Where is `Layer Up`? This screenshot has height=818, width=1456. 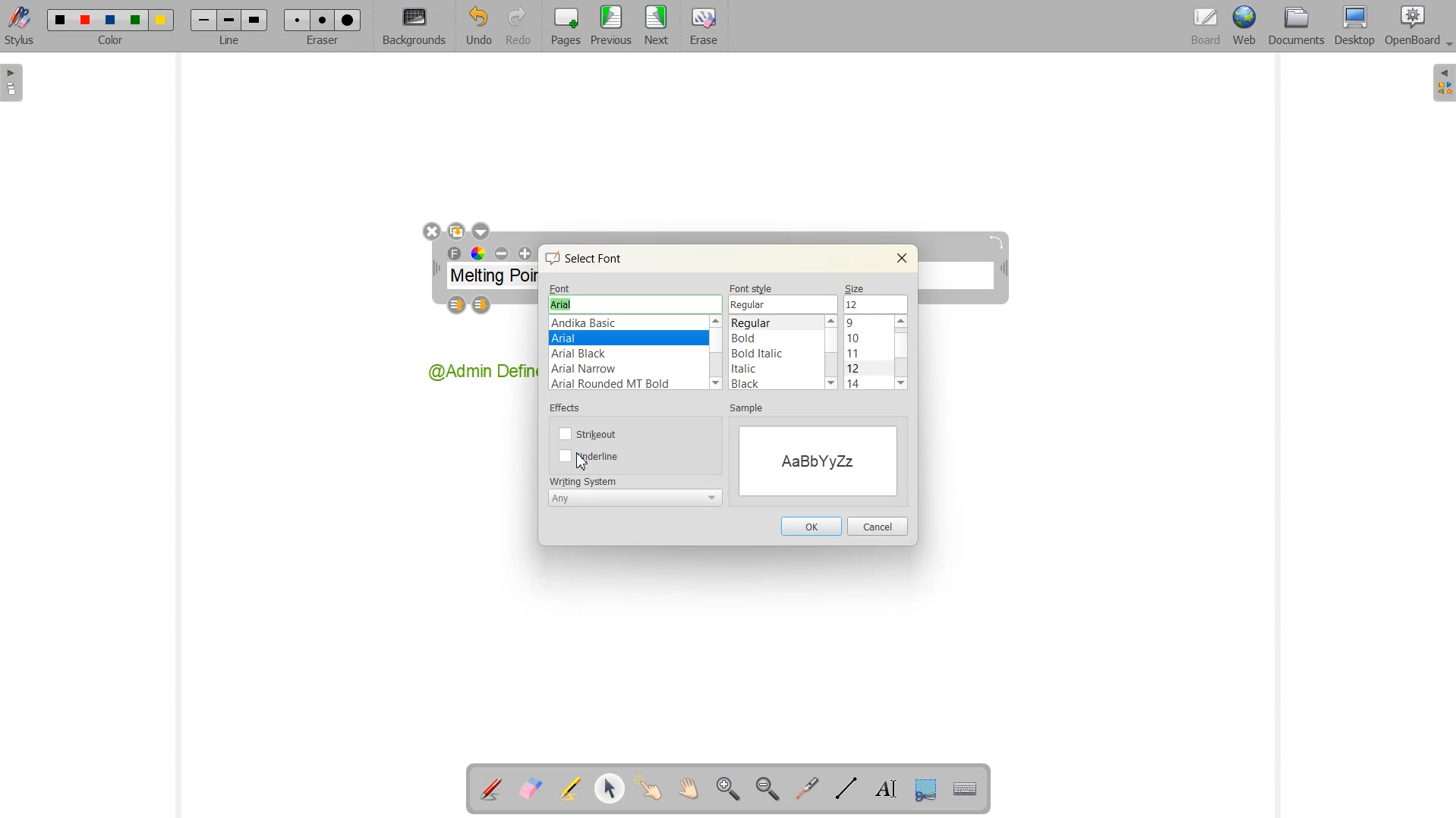 Layer Up is located at coordinates (459, 306).